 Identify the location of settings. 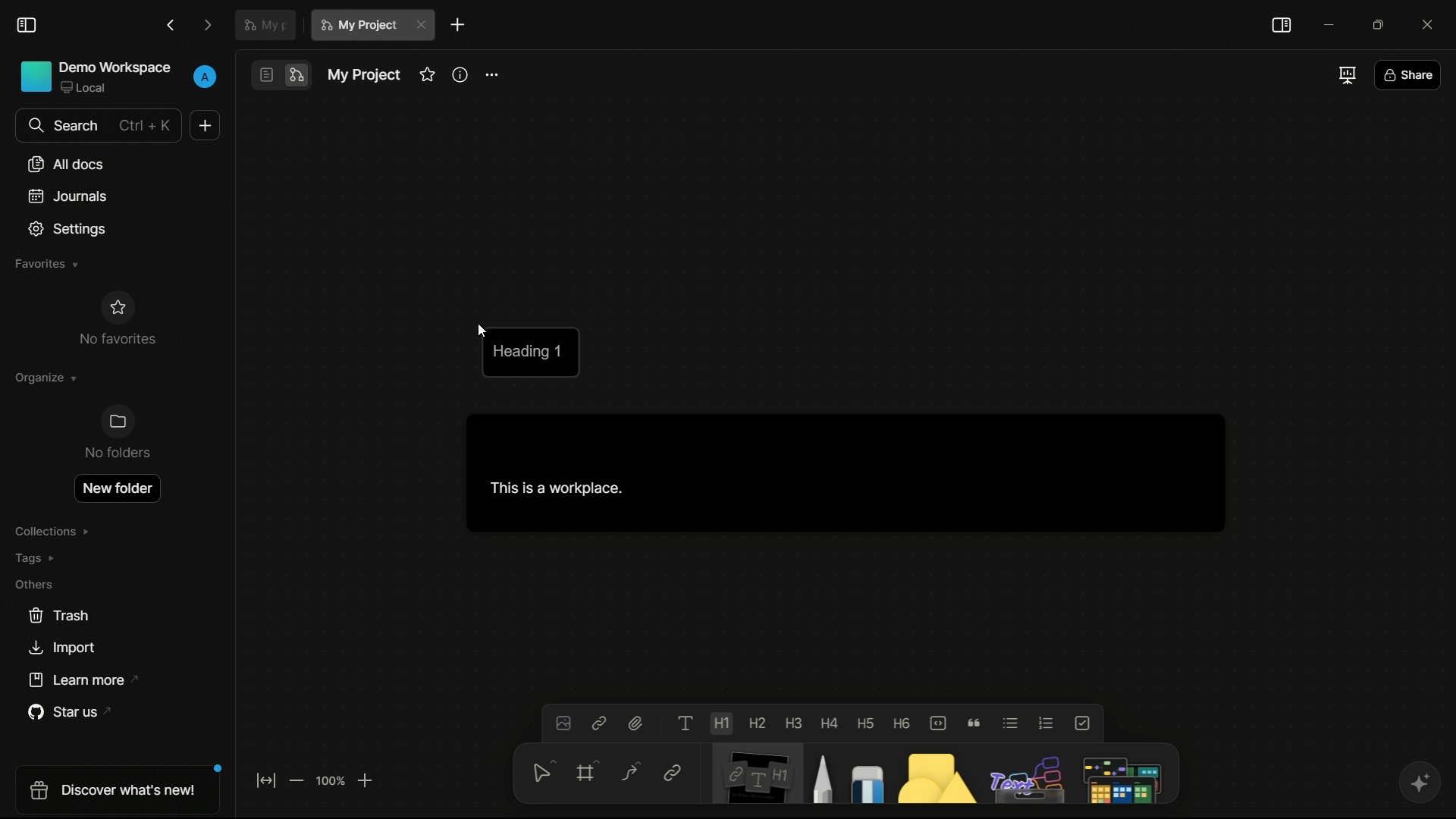
(66, 230).